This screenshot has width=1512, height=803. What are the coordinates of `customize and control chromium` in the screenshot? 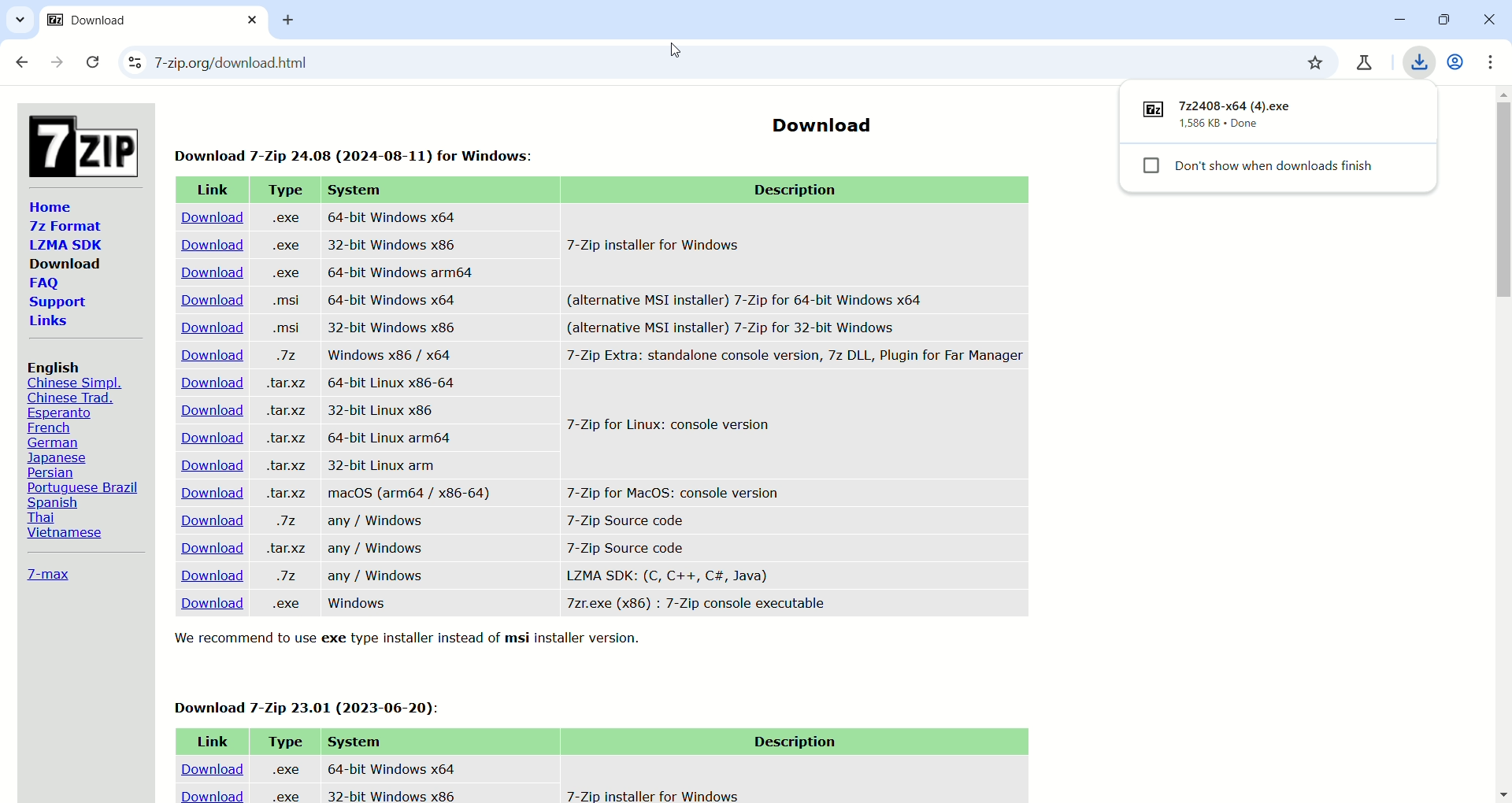 It's located at (1496, 61).